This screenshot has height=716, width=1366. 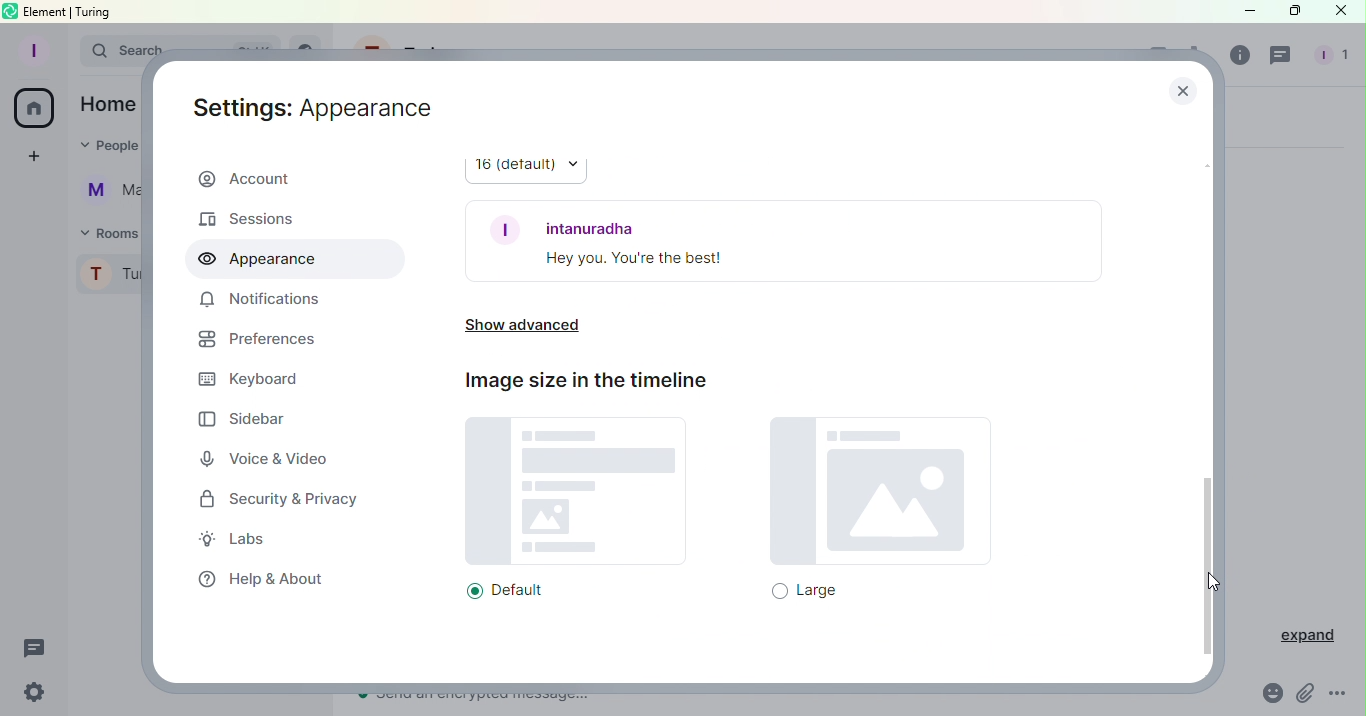 I want to click on element logo, so click(x=11, y=11).